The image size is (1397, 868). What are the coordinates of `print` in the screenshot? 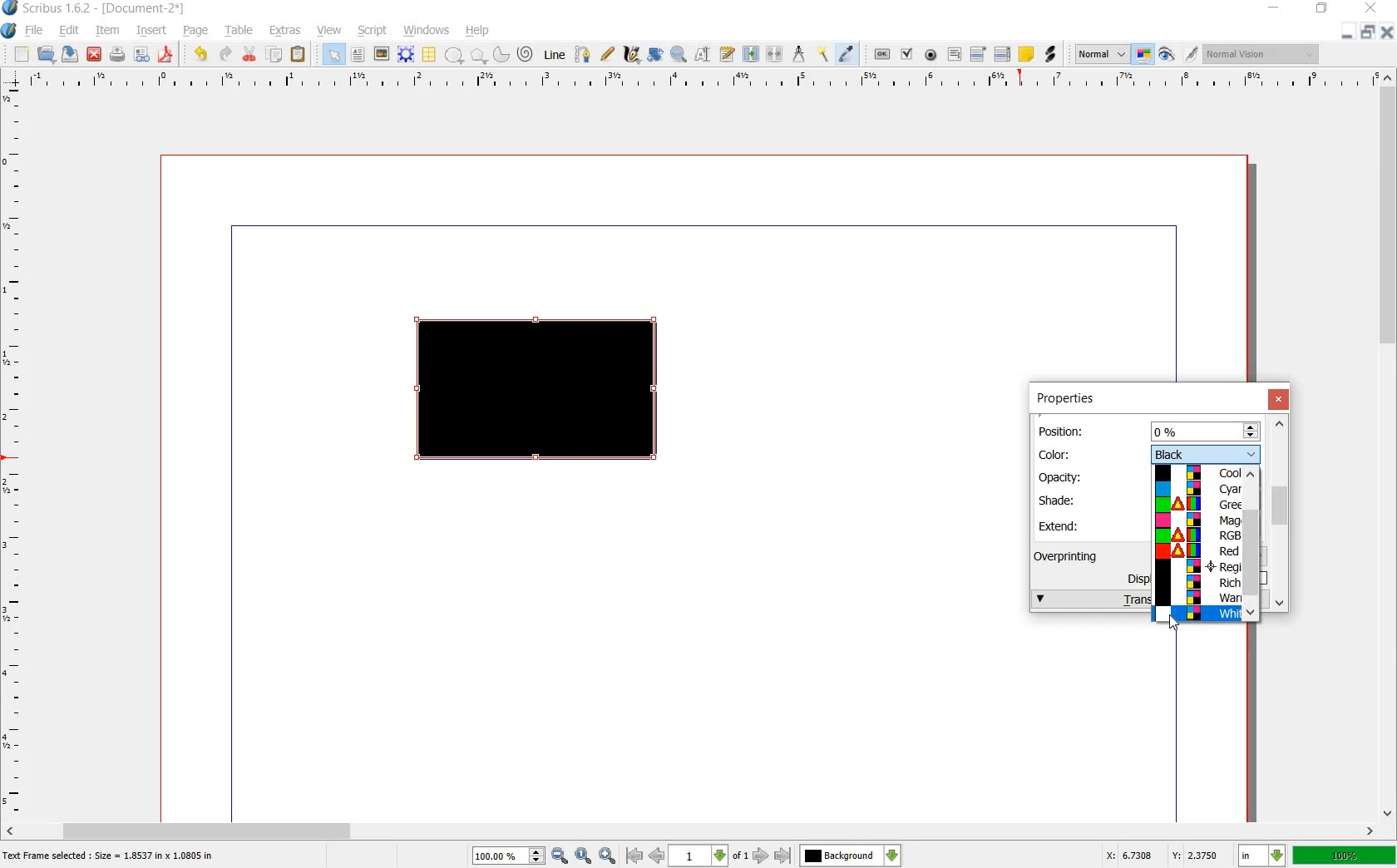 It's located at (117, 55).